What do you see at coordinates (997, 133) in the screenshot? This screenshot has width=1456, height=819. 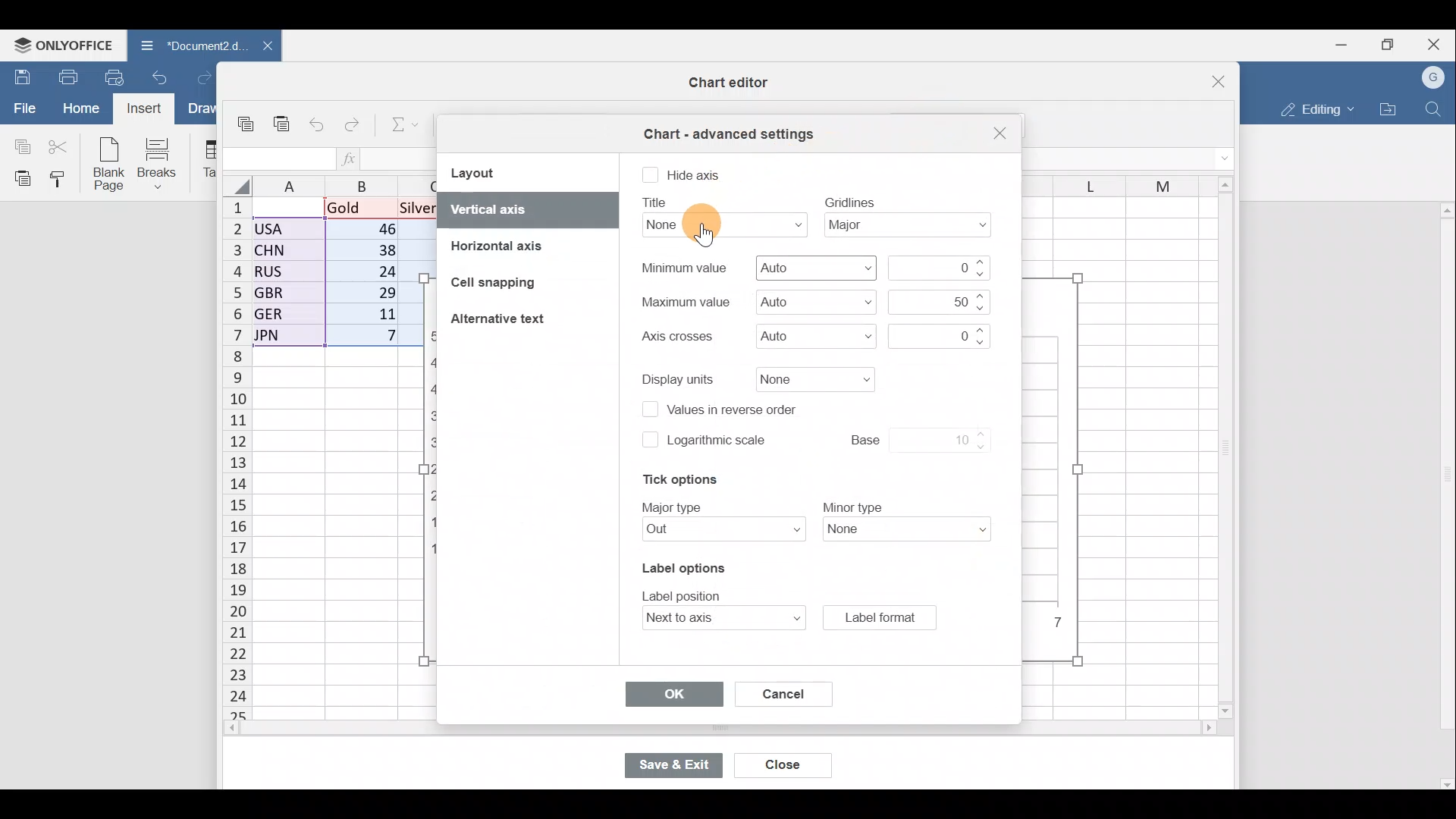 I see `Close` at bounding box center [997, 133].